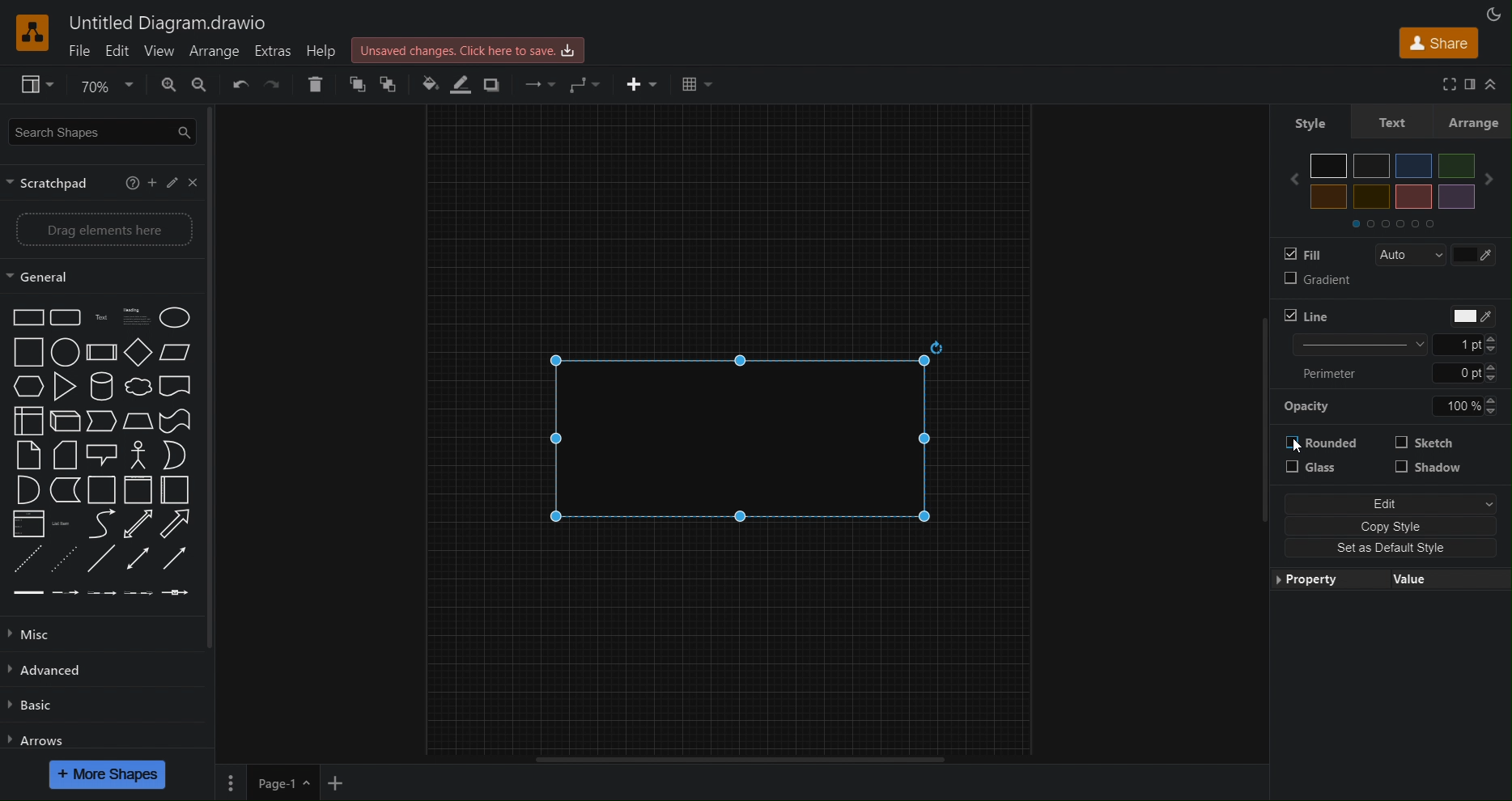  What do you see at coordinates (218, 52) in the screenshot?
I see `Arrange` at bounding box center [218, 52].